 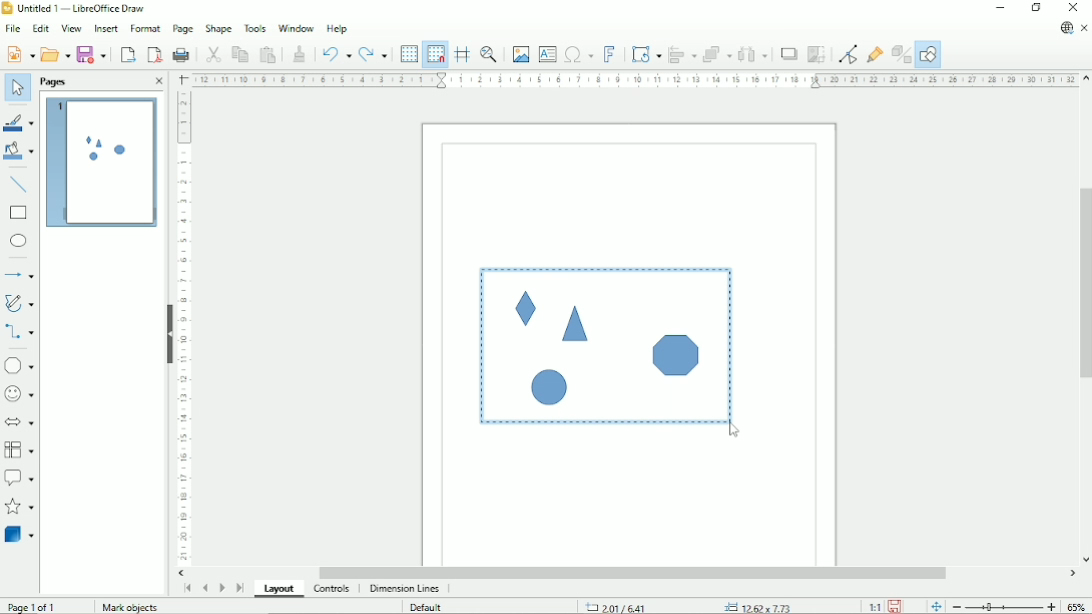 I want to click on Lines and arrows, so click(x=21, y=276).